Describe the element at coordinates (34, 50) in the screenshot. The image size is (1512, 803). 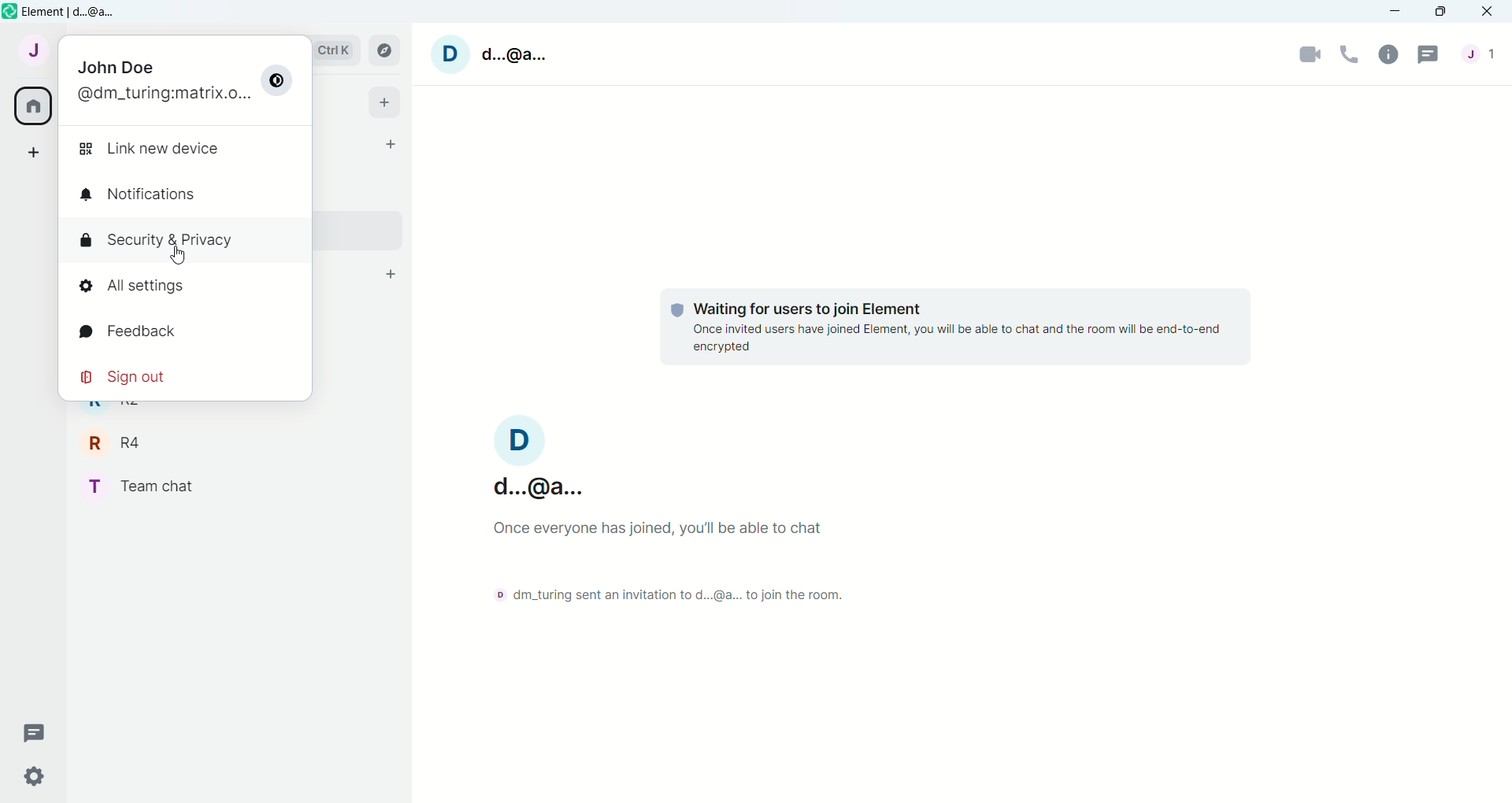
I see `J` at that location.